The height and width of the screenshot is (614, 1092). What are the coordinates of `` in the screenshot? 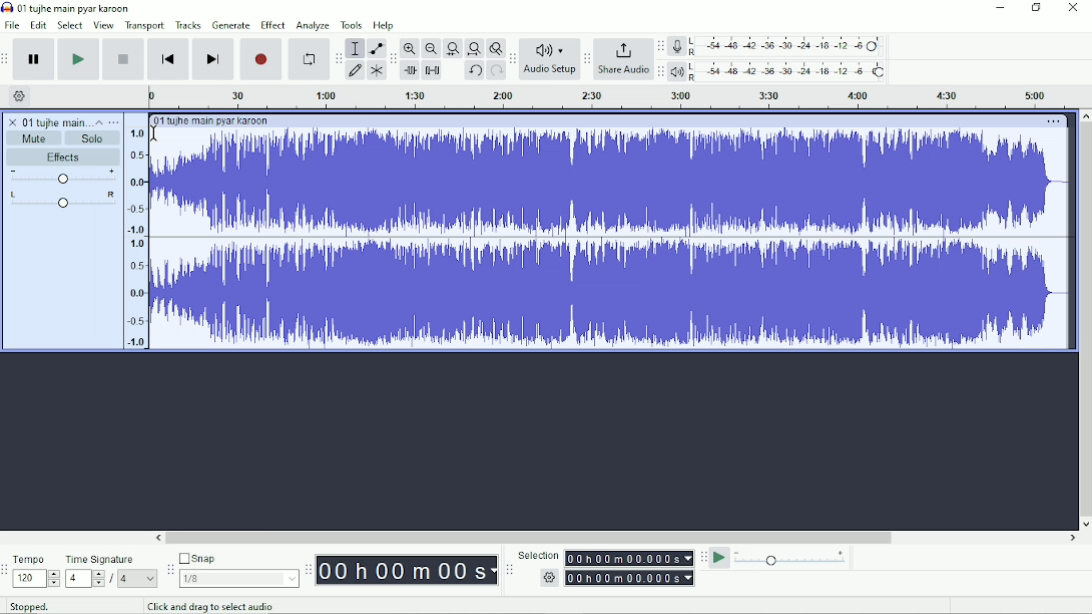 It's located at (547, 578).